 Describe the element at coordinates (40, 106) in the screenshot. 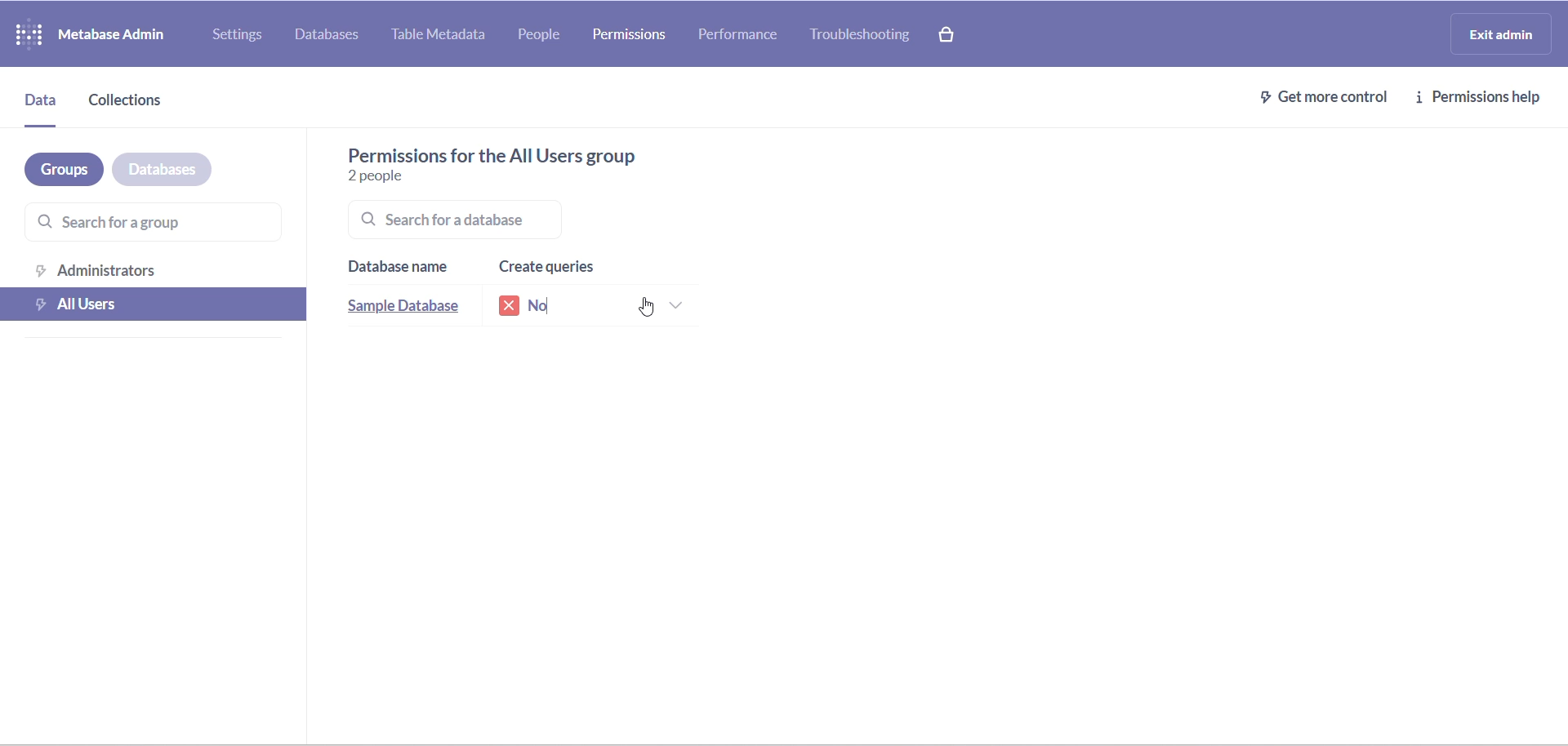

I see `data` at that location.